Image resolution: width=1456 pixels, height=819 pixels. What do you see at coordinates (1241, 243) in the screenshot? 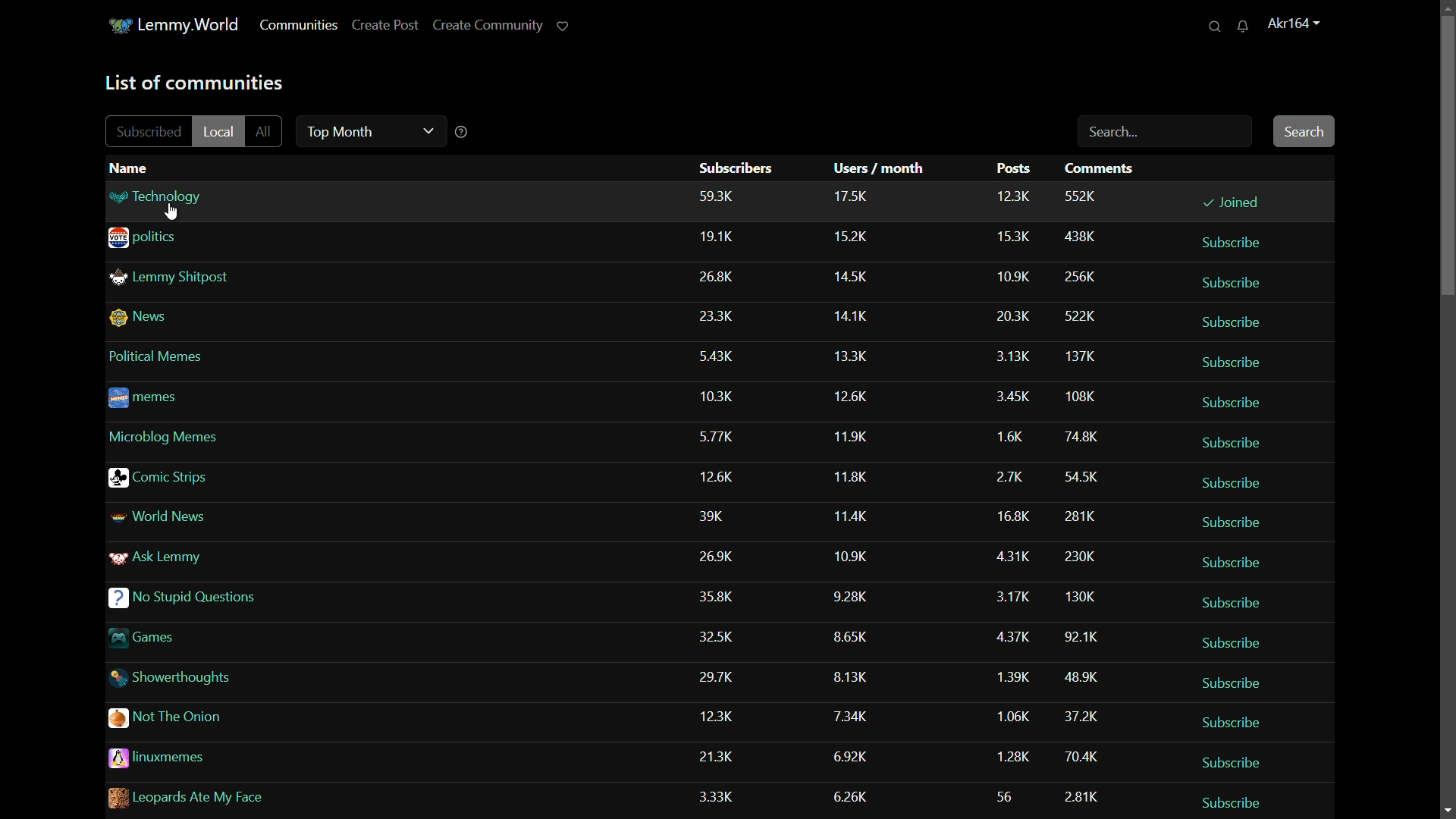
I see `subscribe/unsubscribe` at bounding box center [1241, 243].